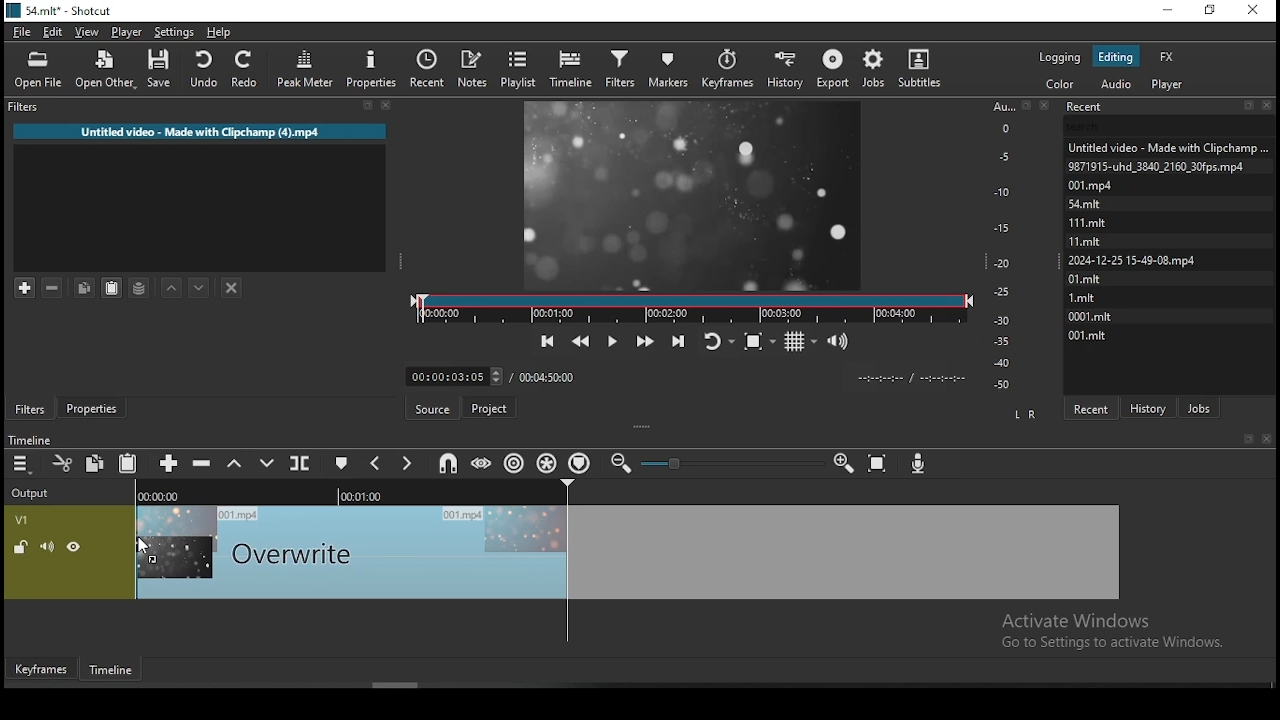 The image size is (1280, 720). I want to click on toggle player looping, so click(717, 339).